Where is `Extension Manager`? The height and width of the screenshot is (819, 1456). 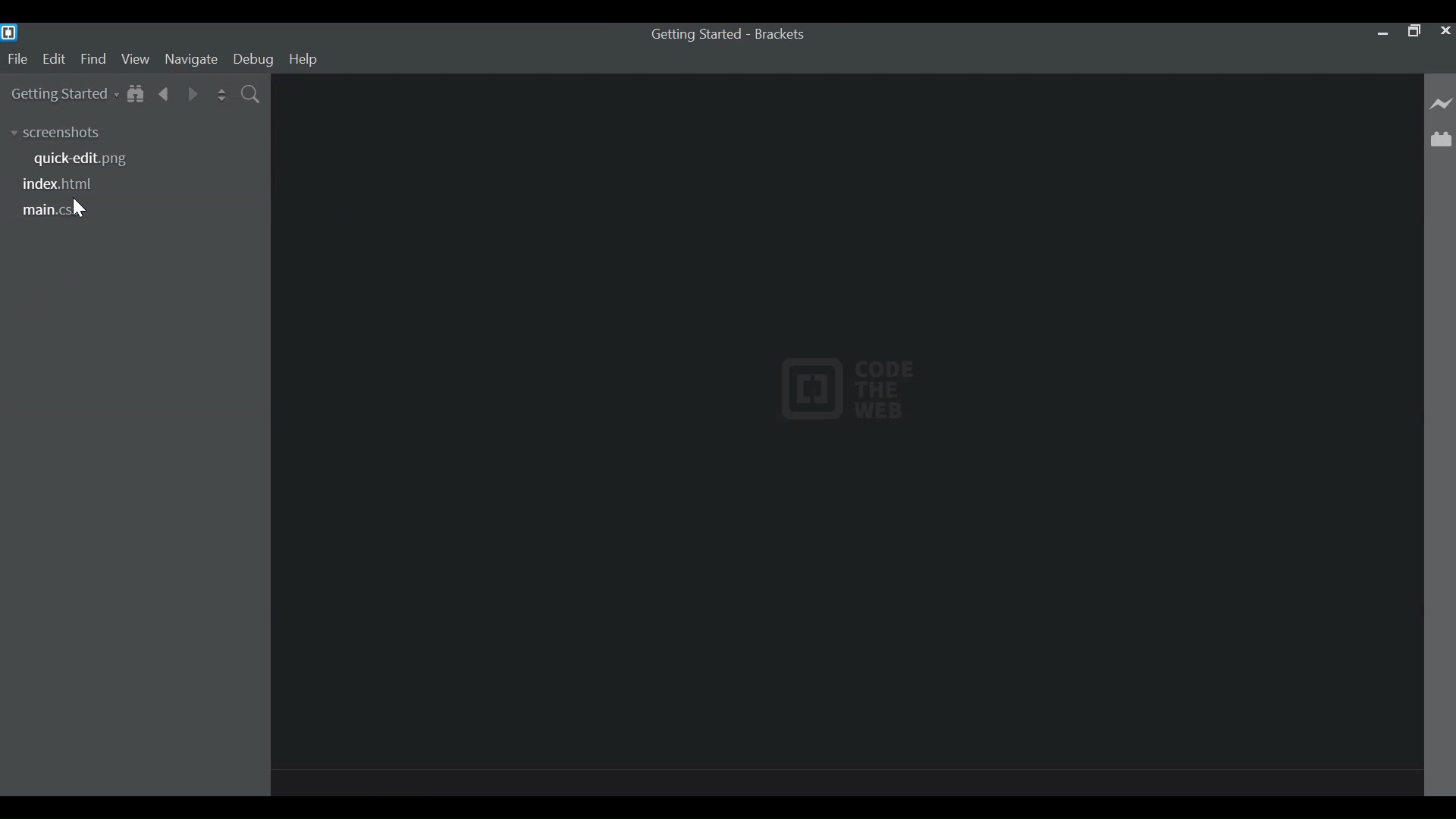 Extension Manager is located at coordinates (1441, 141).